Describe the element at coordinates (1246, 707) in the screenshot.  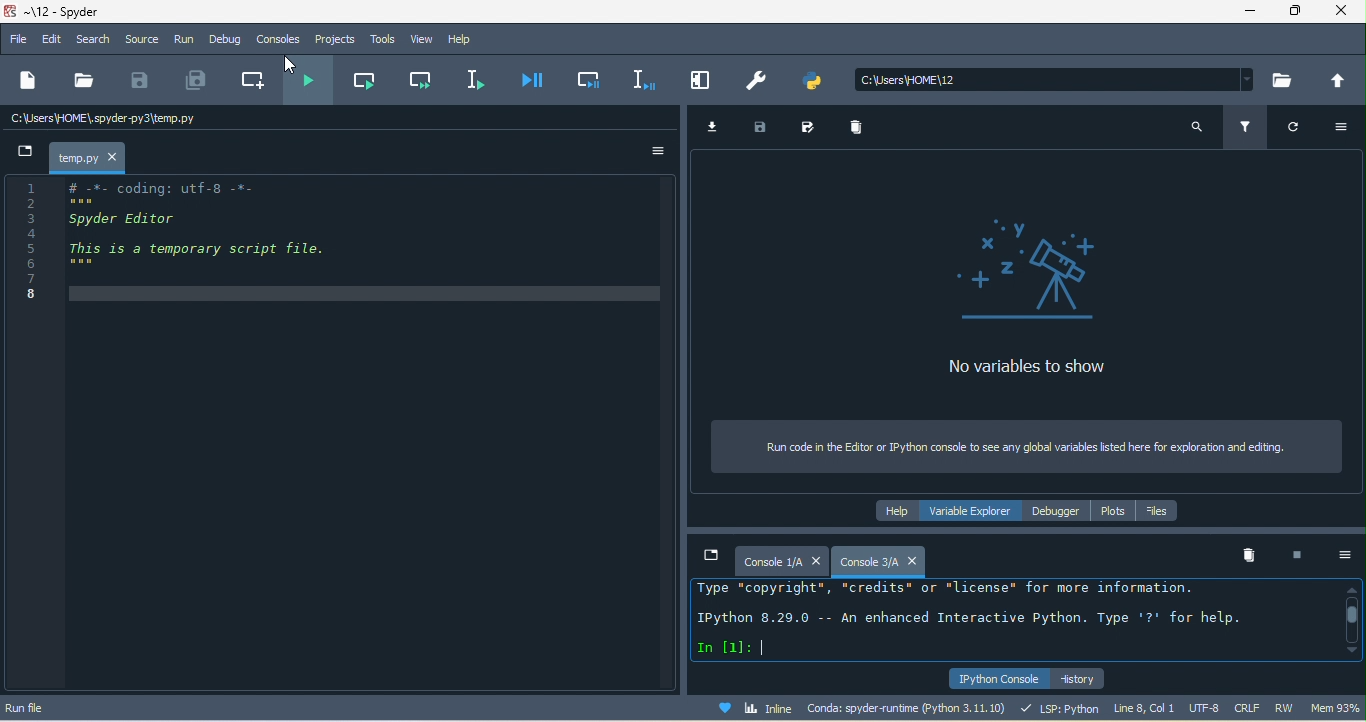
I see `crlf` at that location.